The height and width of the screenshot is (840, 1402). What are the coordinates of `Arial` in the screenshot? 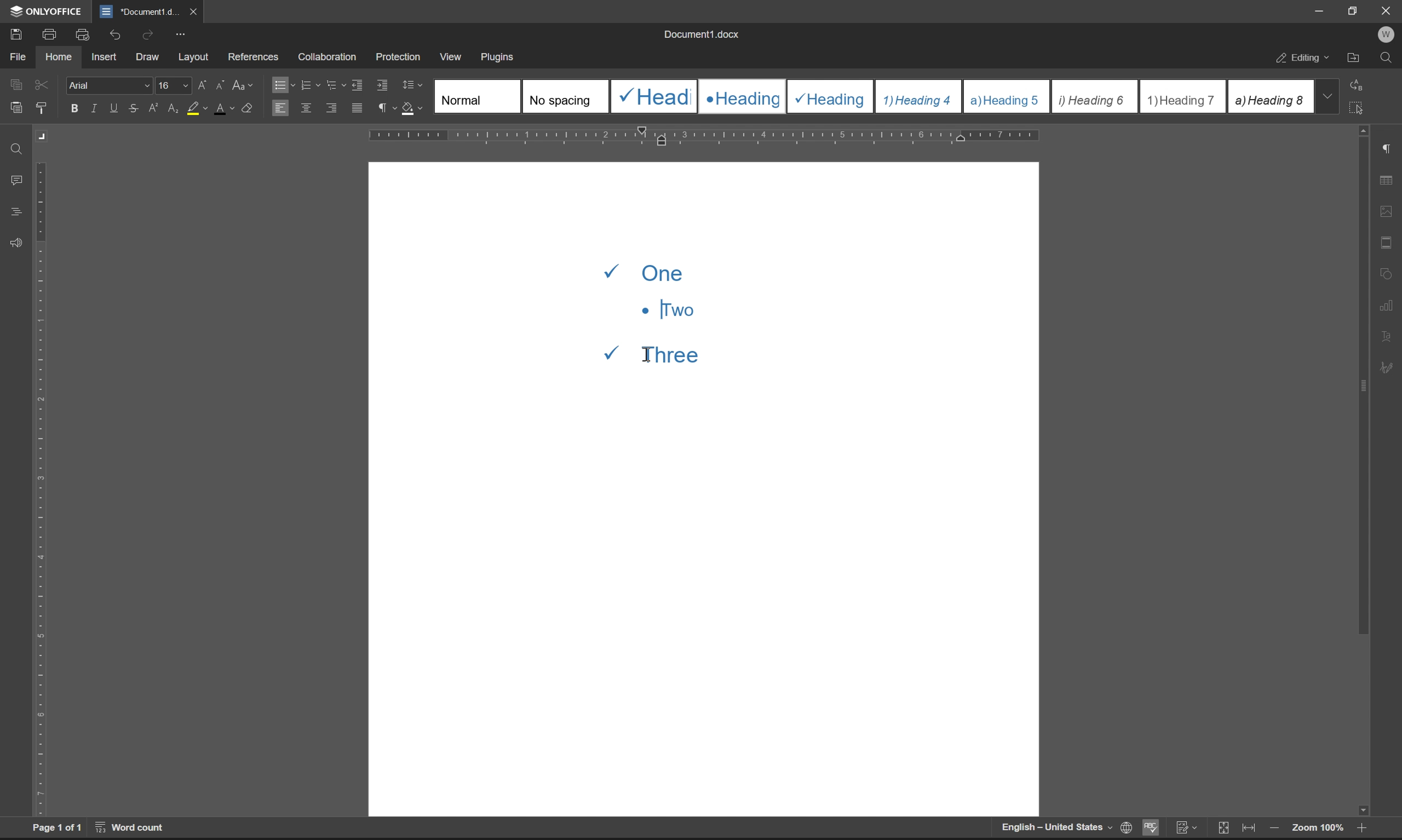 It's located at (108, 84).